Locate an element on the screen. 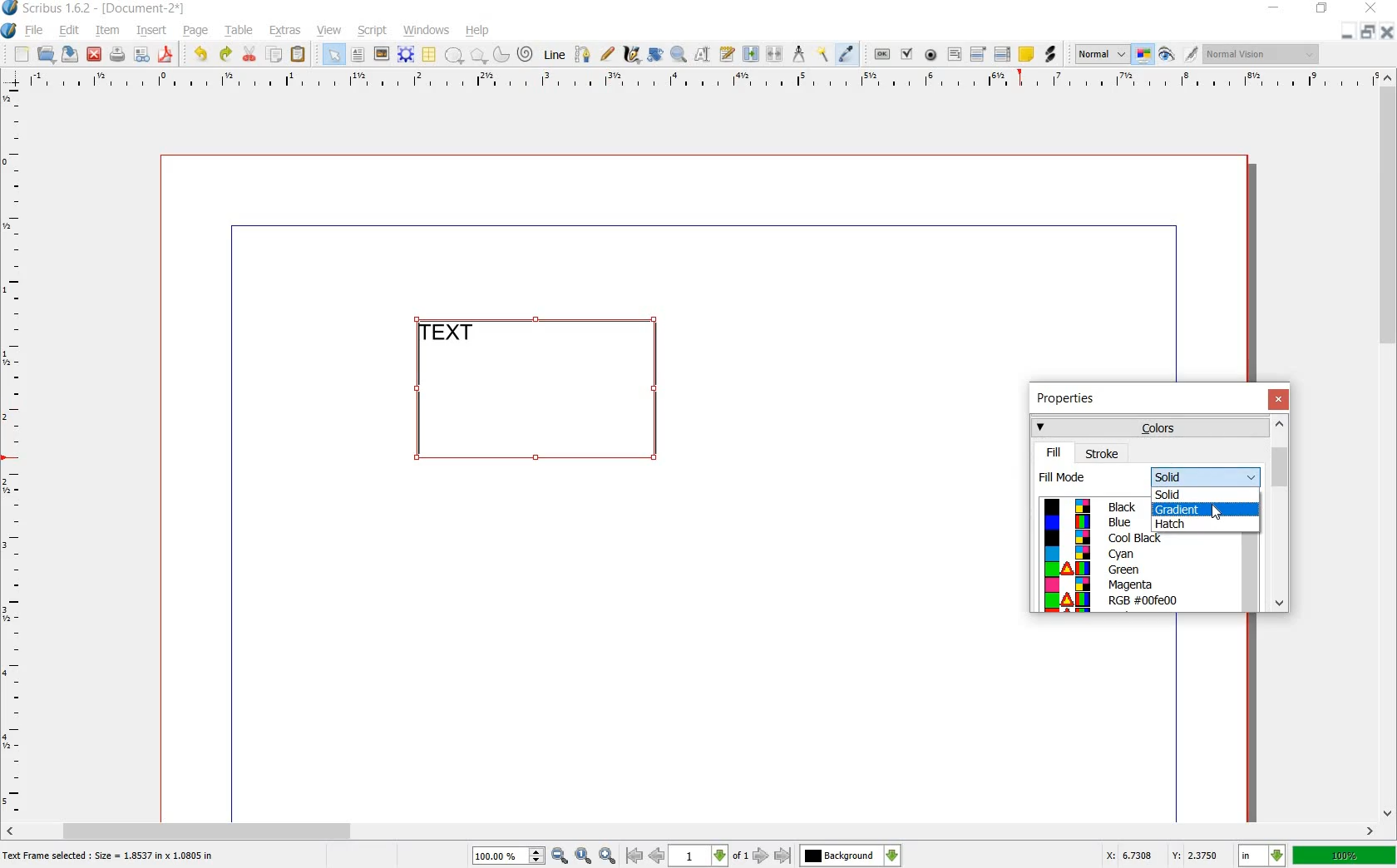  100% is located at coordinates (1345, 855).